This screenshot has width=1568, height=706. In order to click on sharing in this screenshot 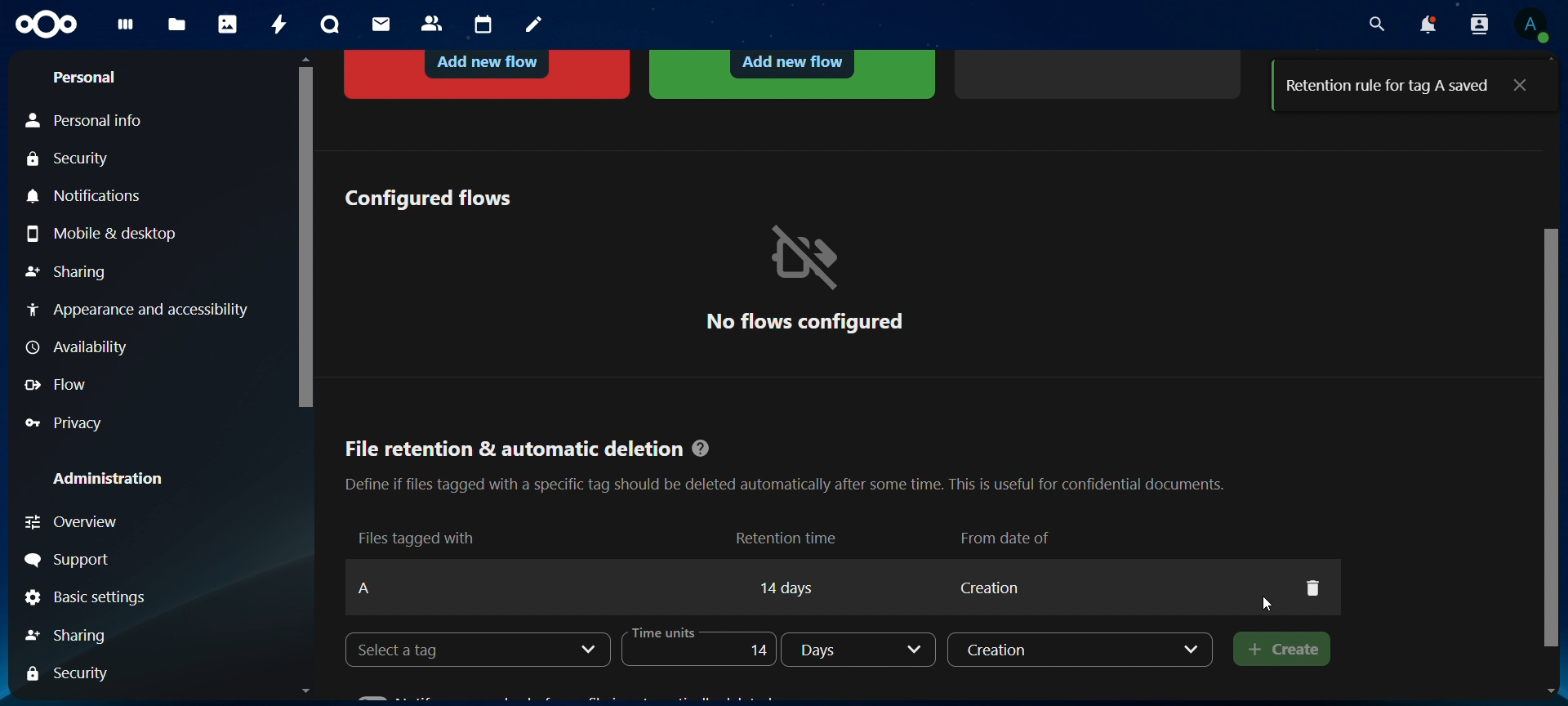, I will do `click(84, 633)`.